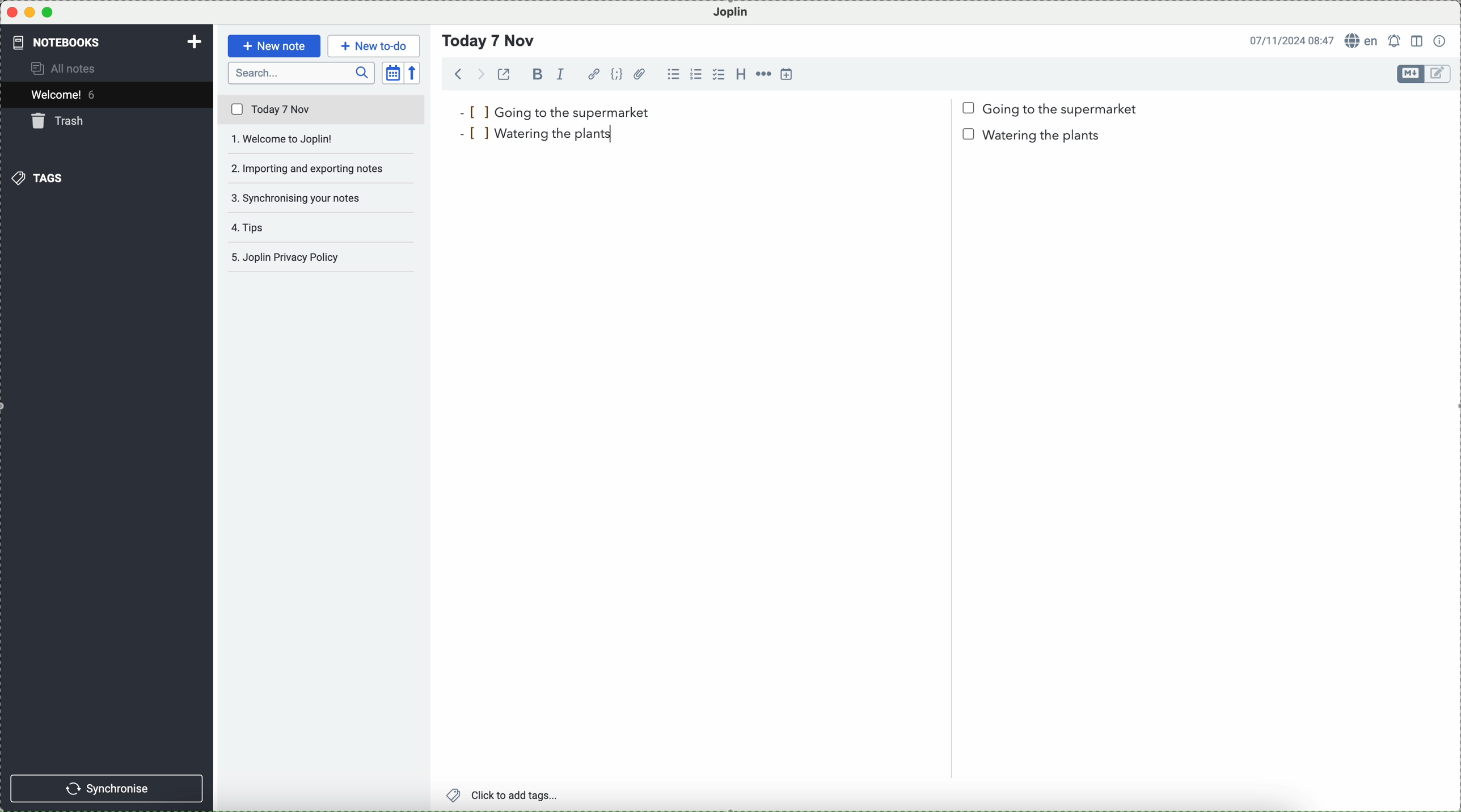 The width and height of the screenshot is (1461, 812). Describe the element at coordinates (31, 12) in the screenshot. I see `minimize` at that location.